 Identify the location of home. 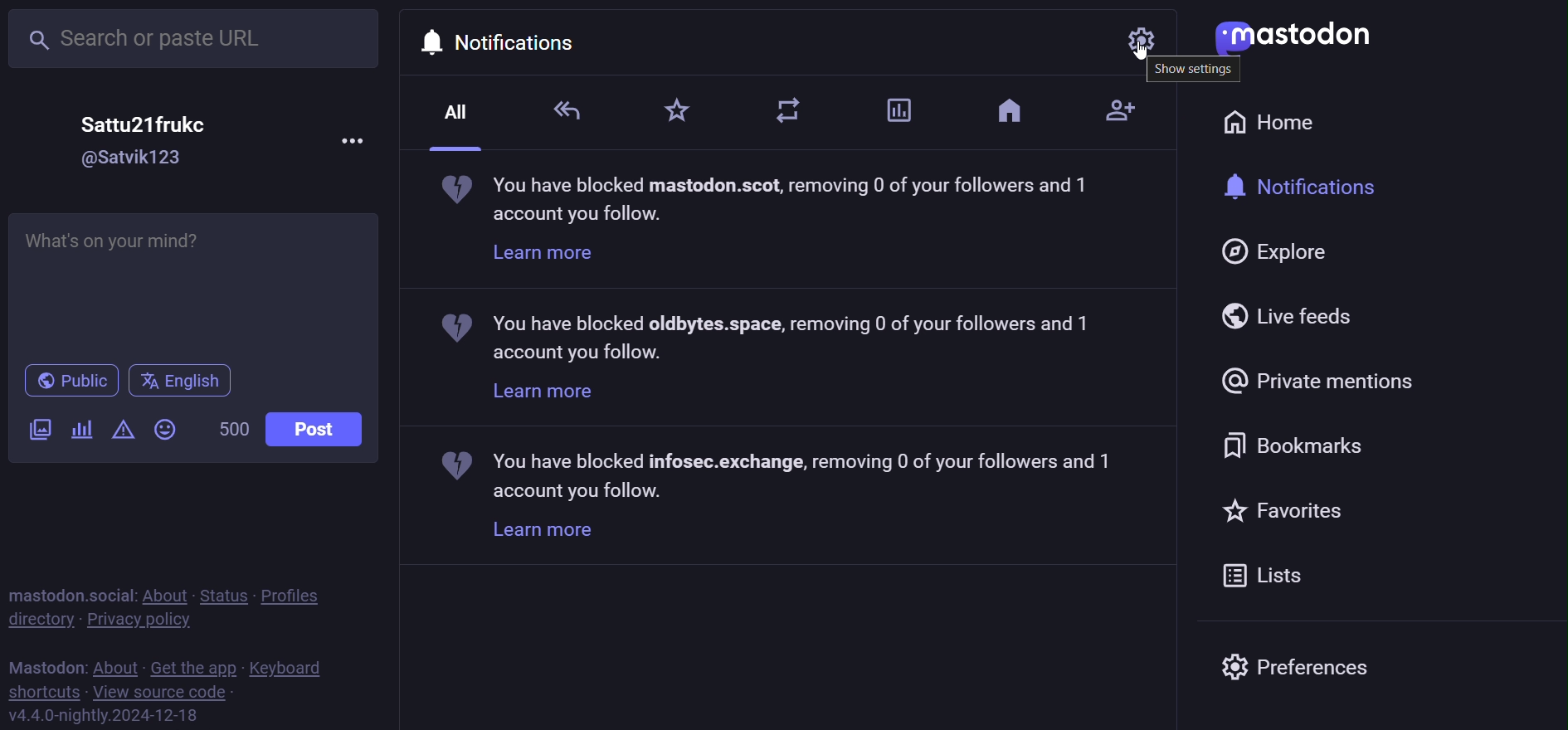
(1281, 123).